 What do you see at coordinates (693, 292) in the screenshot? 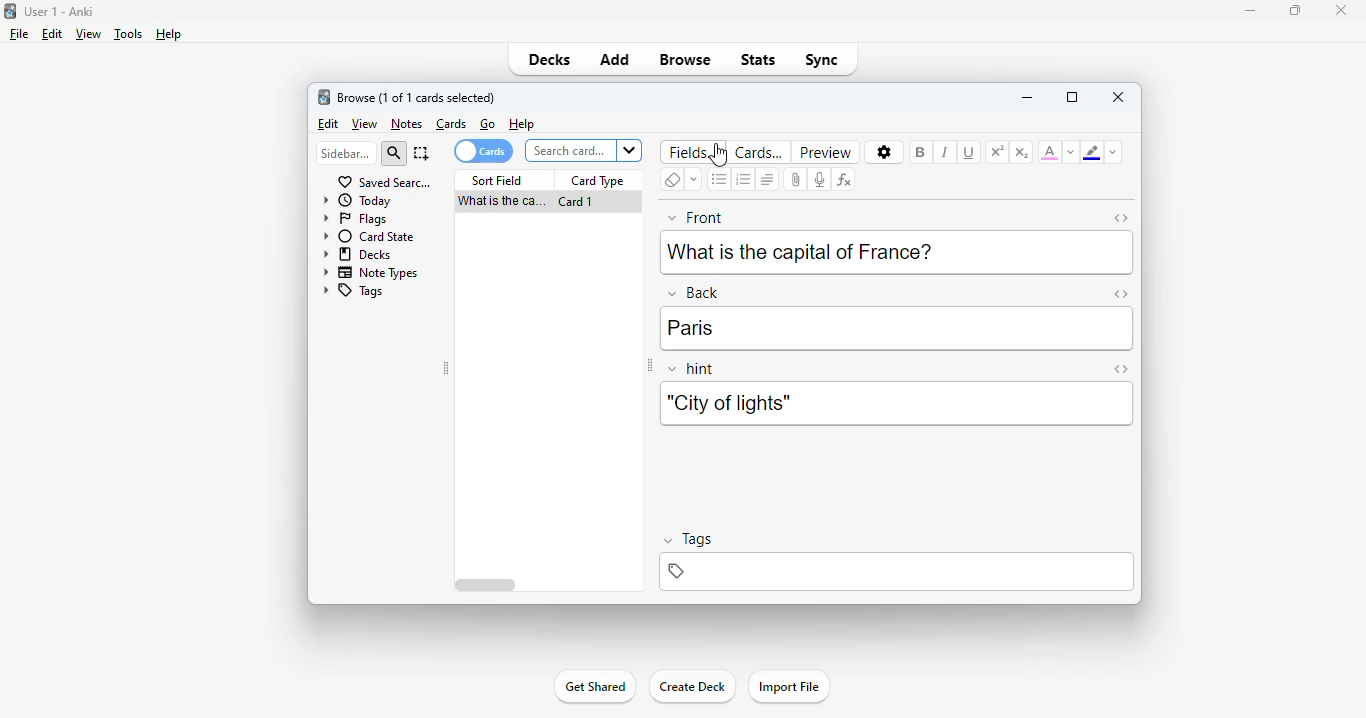
I see `back` at bounding box center [693, 292].